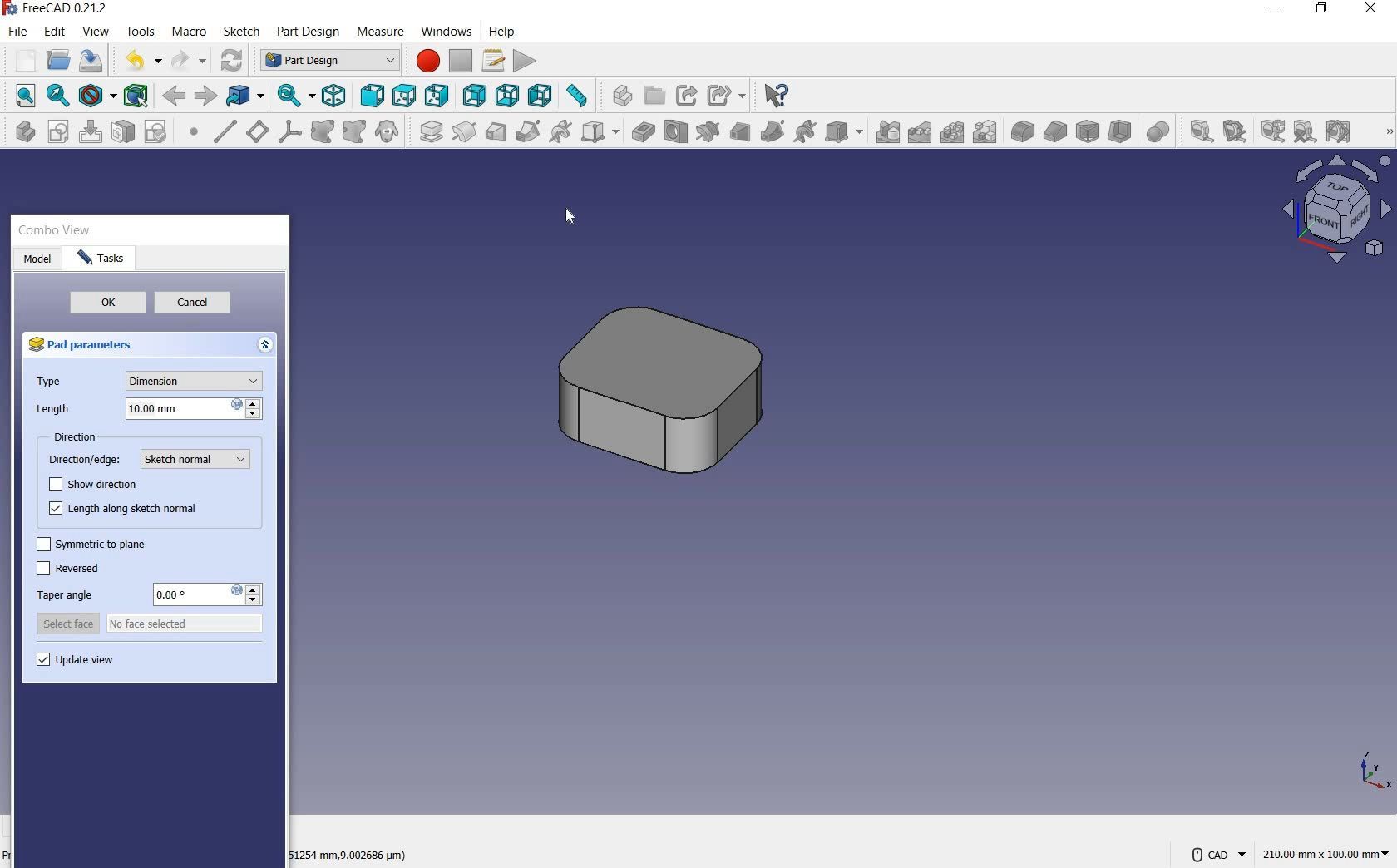  What do you see at coordinates (57, 132) in the screenshot?
I see `create sketch` at bounding box center [57, 132].